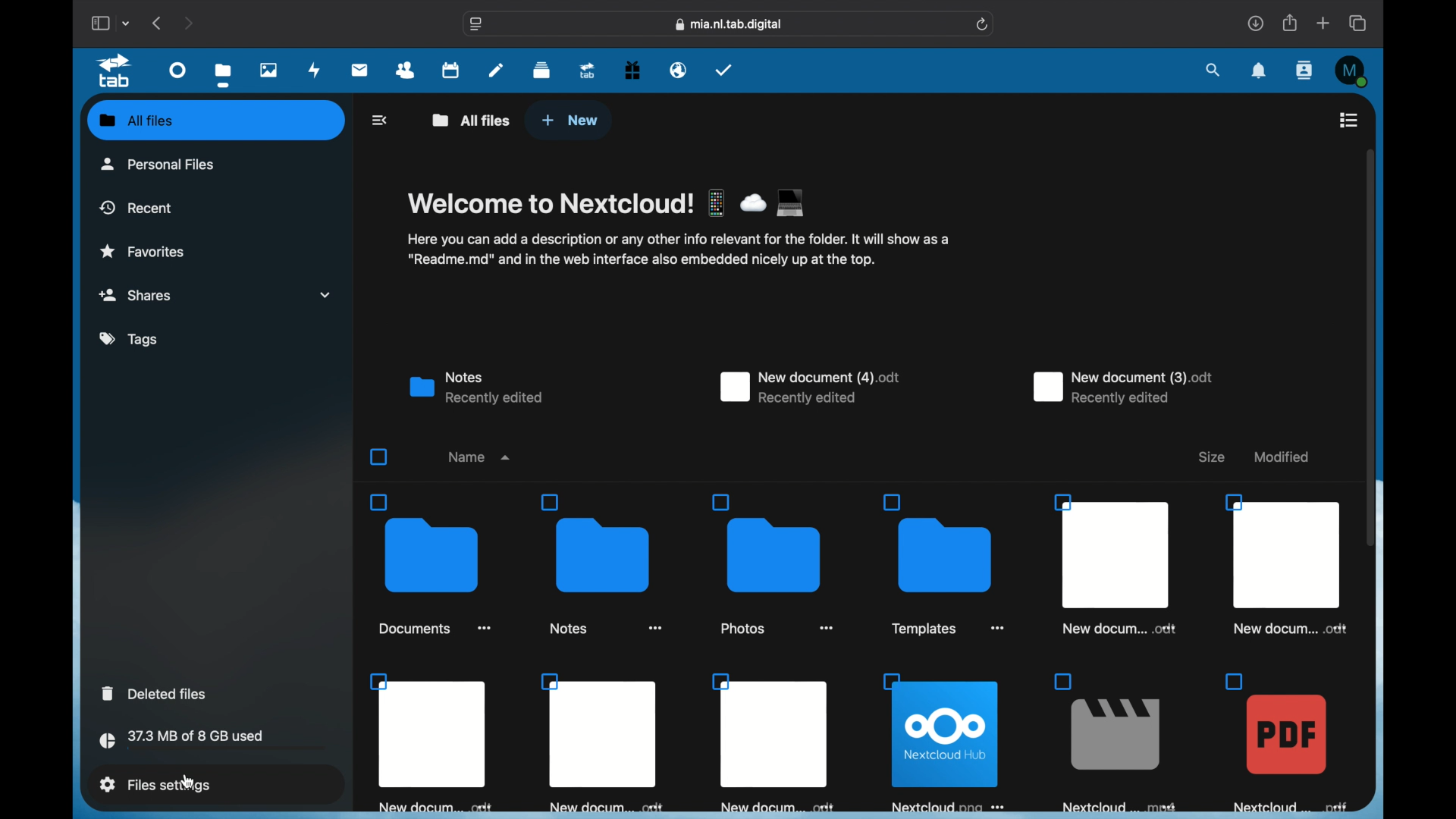  I want to click on notes, so click(494, 71).